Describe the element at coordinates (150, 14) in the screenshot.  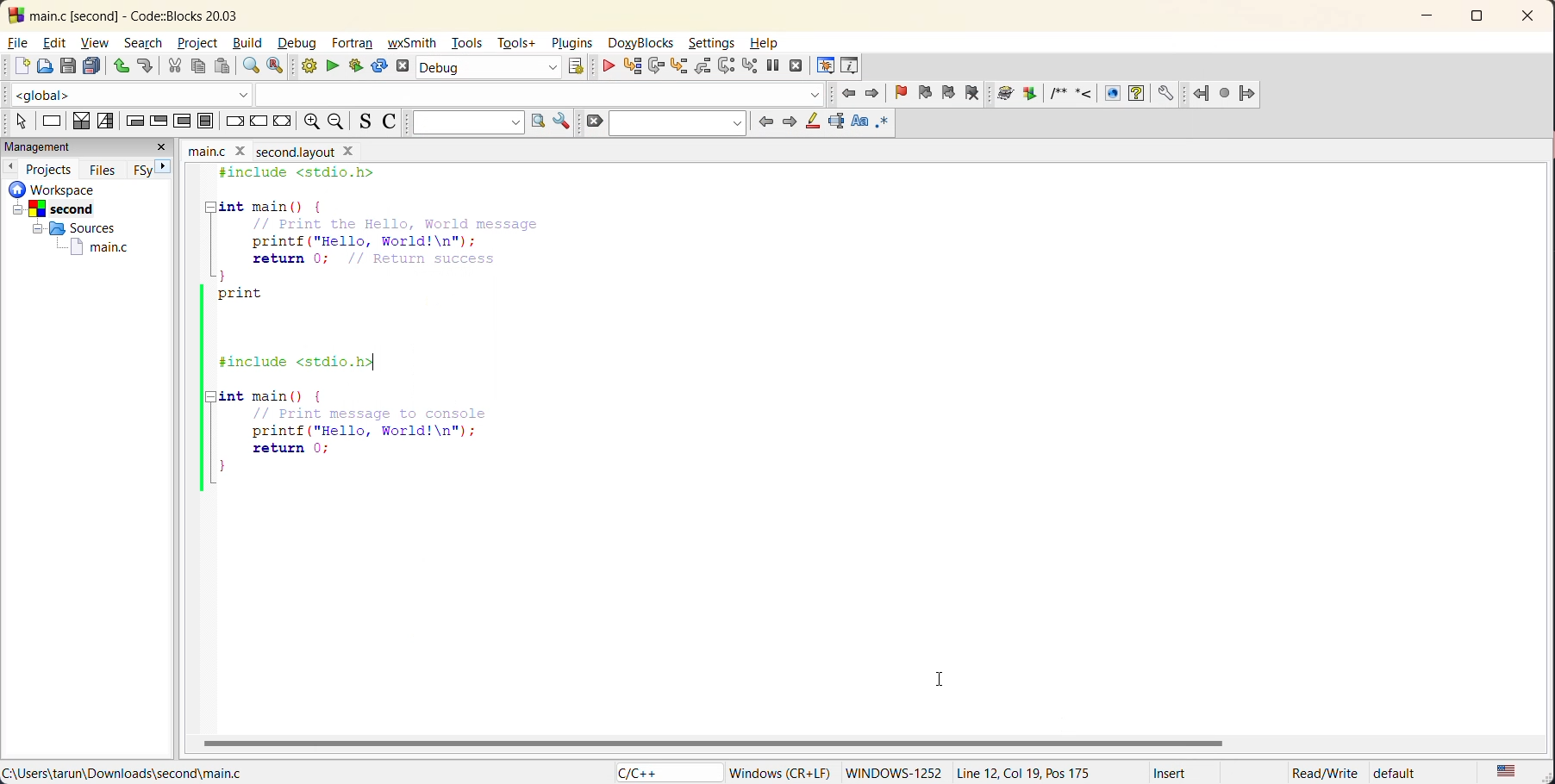
I see `app name and file name` at that location.